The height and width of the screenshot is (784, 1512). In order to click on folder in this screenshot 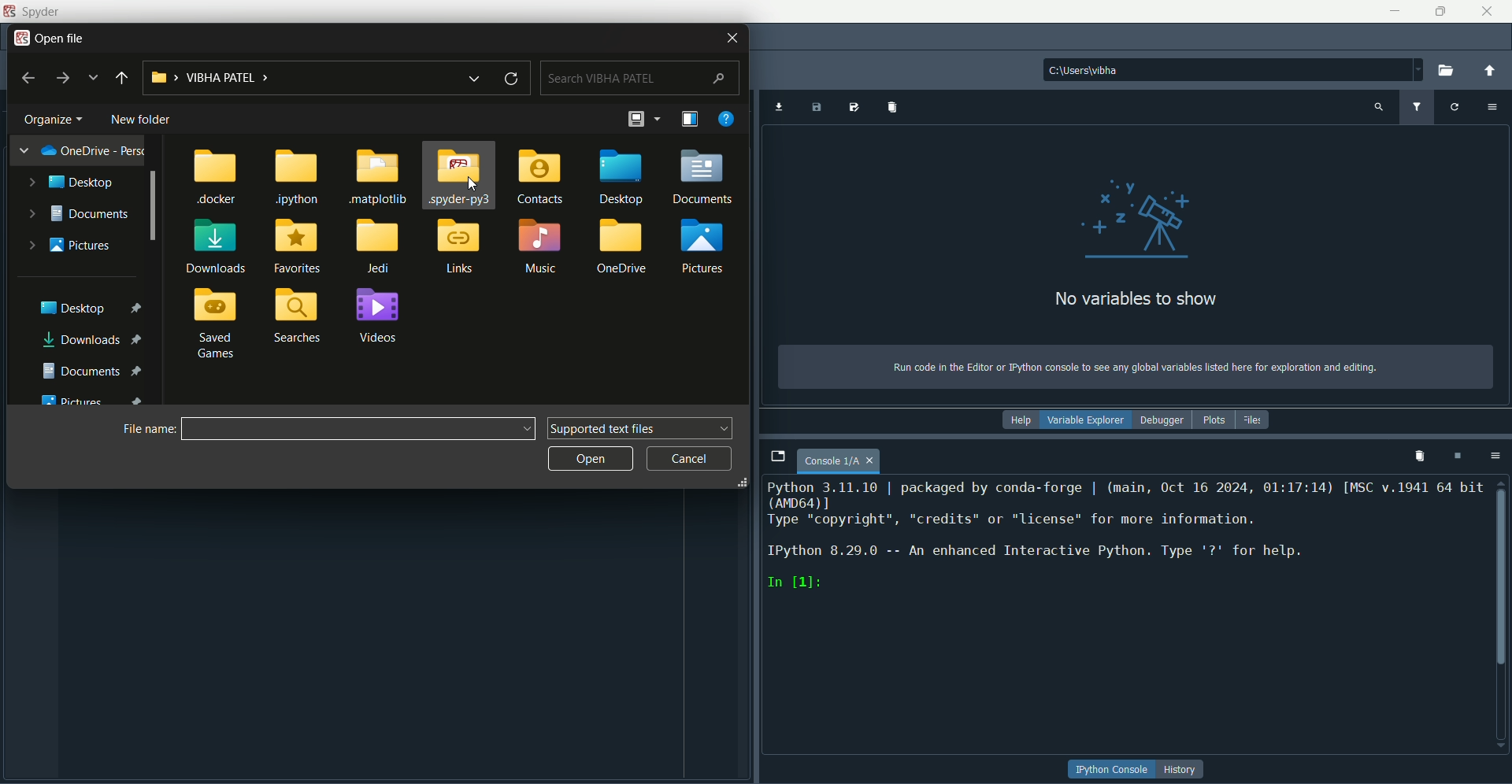, I will do `click(538, 248)`.